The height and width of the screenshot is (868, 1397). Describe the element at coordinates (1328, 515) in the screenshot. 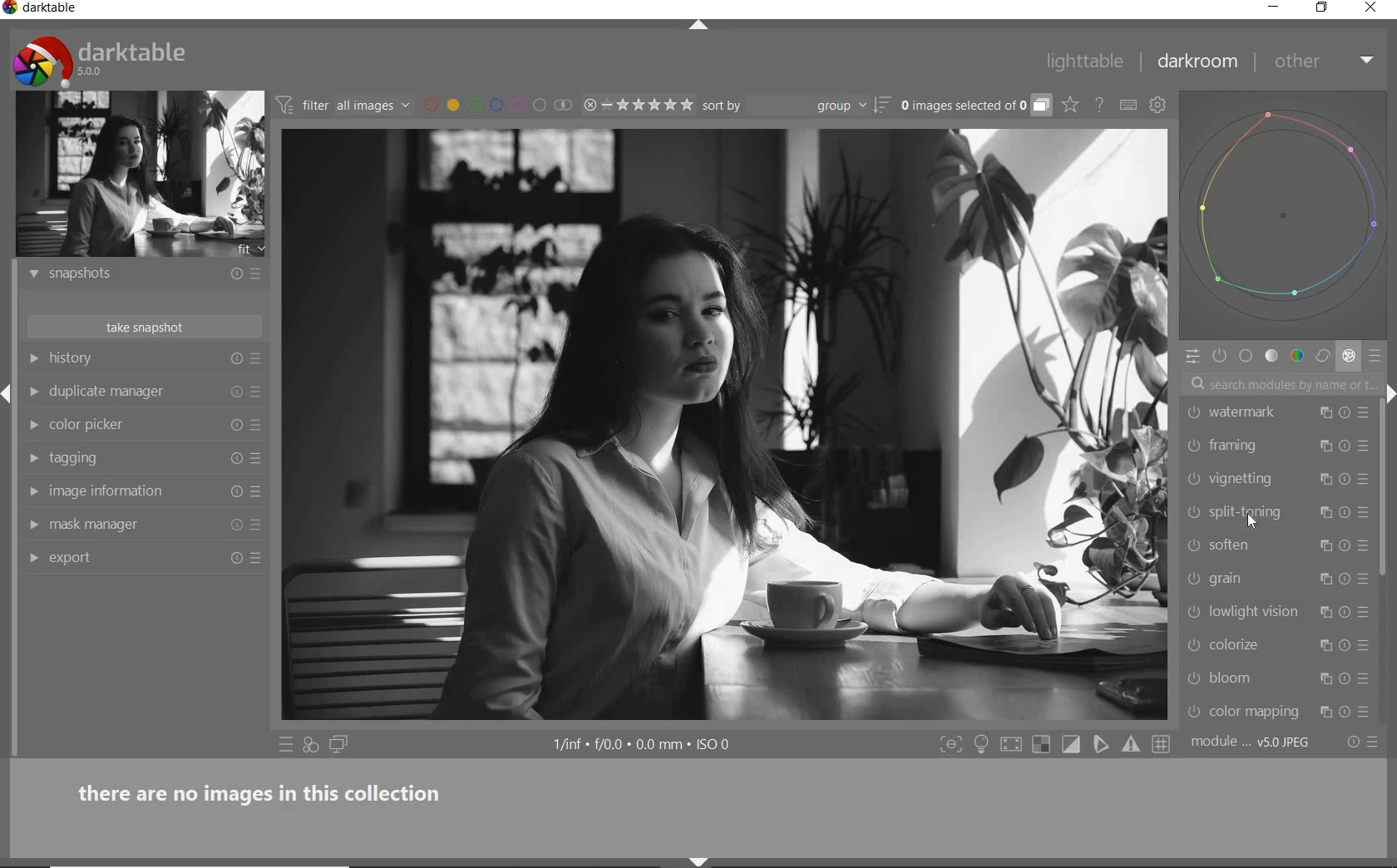

I see `multiple instance actions` at that location.